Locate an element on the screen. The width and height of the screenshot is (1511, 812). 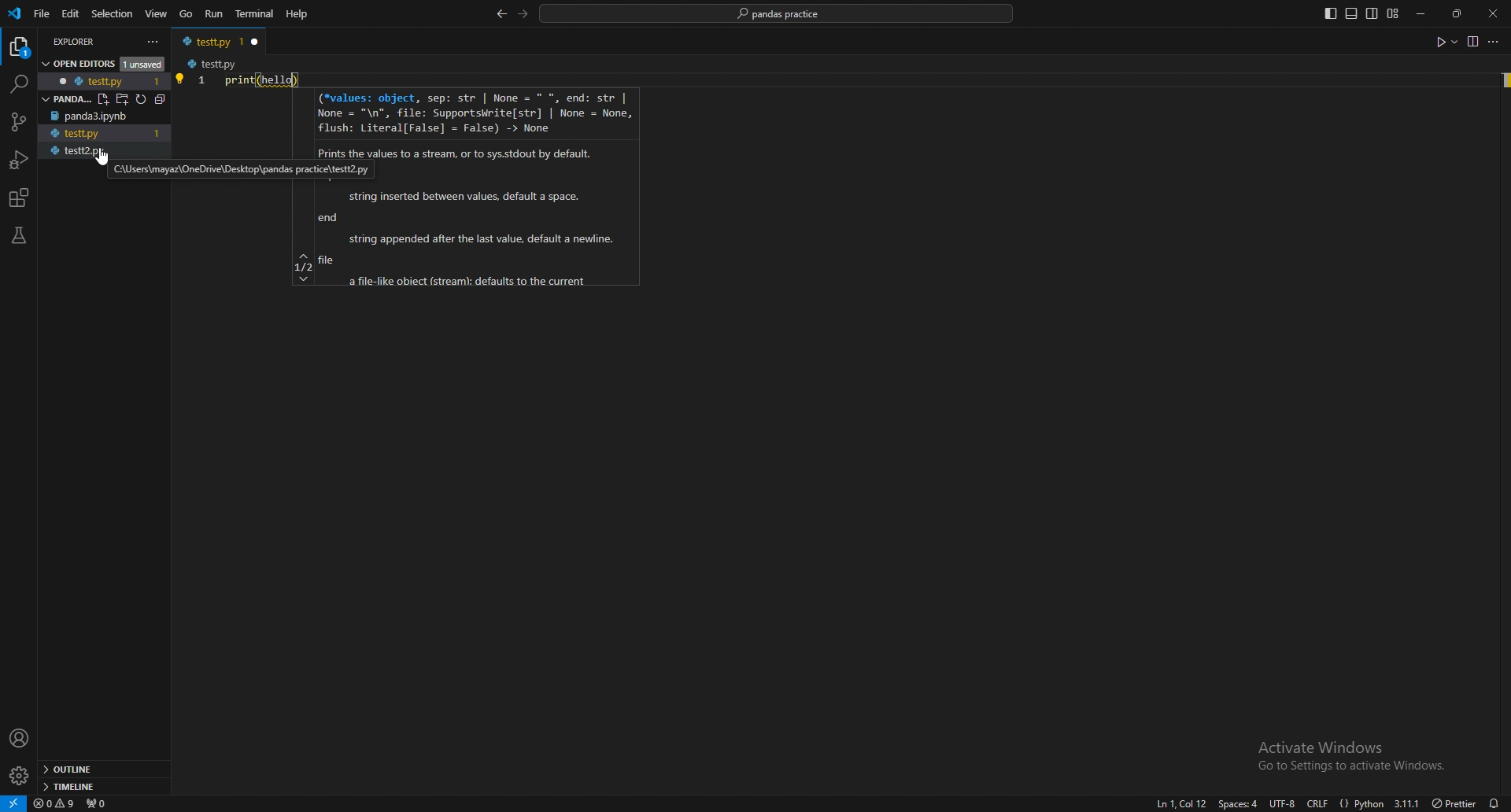
more actions is located at coordinates (153, 42).